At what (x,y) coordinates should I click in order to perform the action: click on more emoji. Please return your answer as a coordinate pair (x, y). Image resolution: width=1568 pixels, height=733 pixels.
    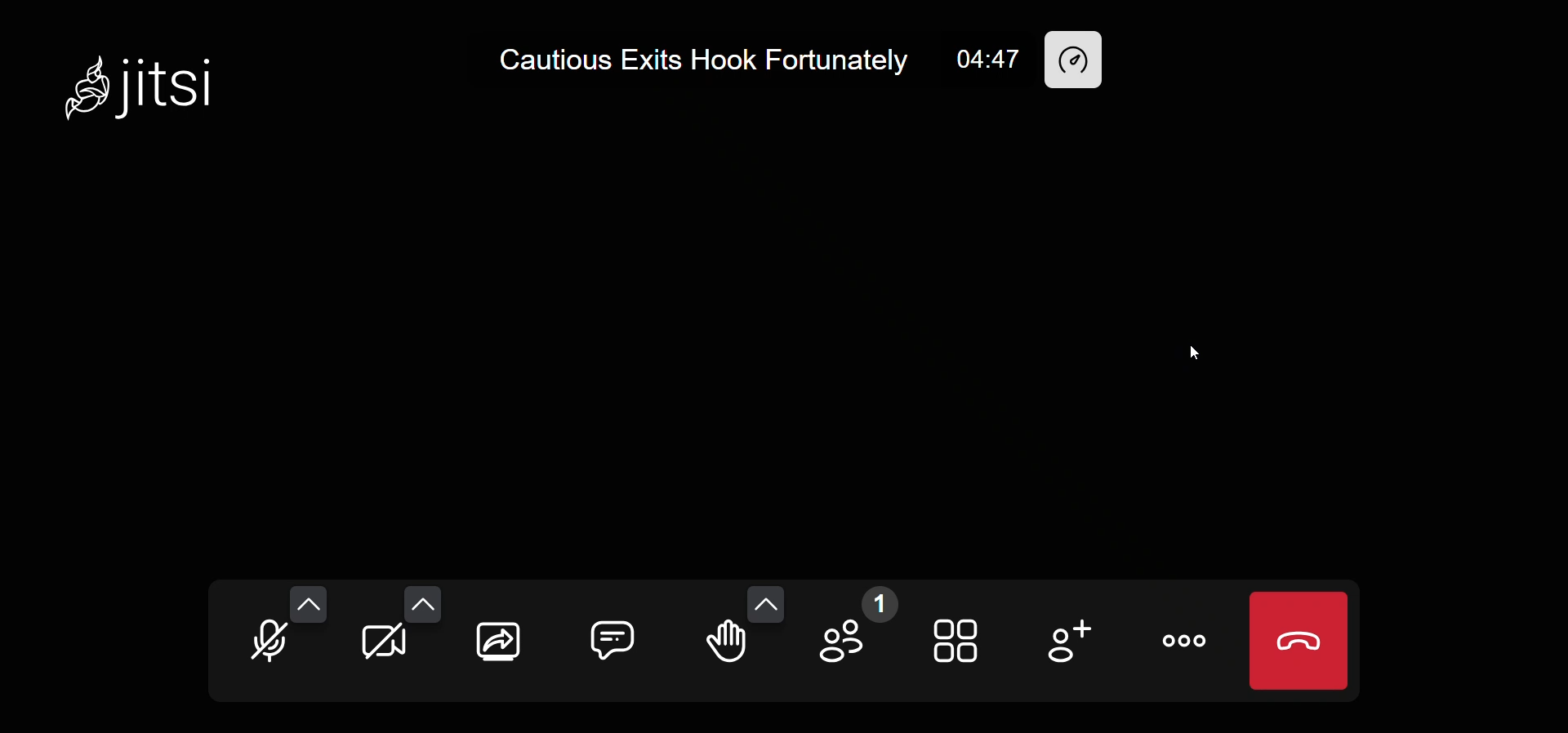
    Looking at the image, I should click on (764, 600).